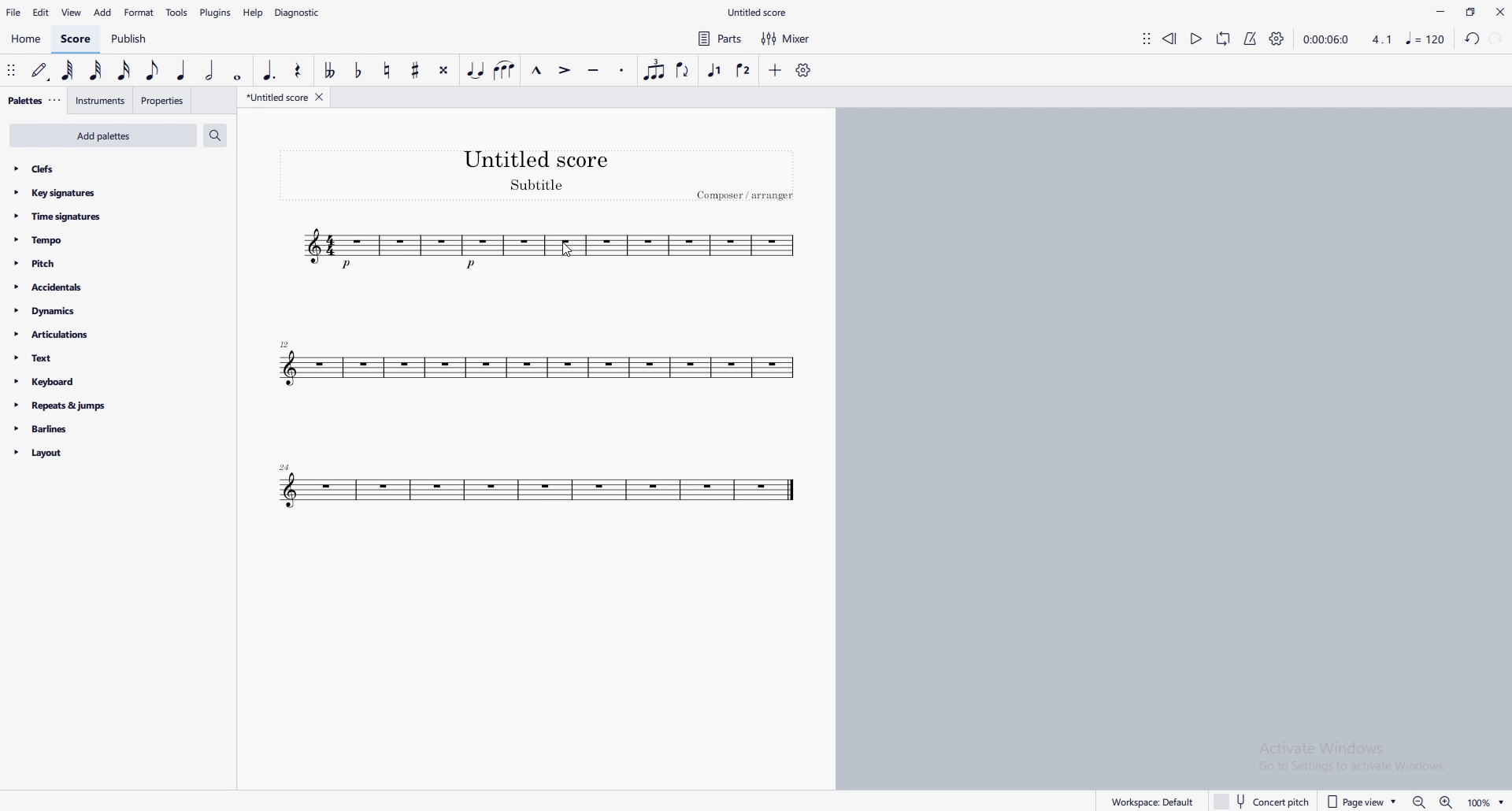 Image resolution: width=1512 pixels, height=811 pixels. What do you see at coordinates (98, 454) in the screenshot?
I see `layout` at bounding box center [98, 454].